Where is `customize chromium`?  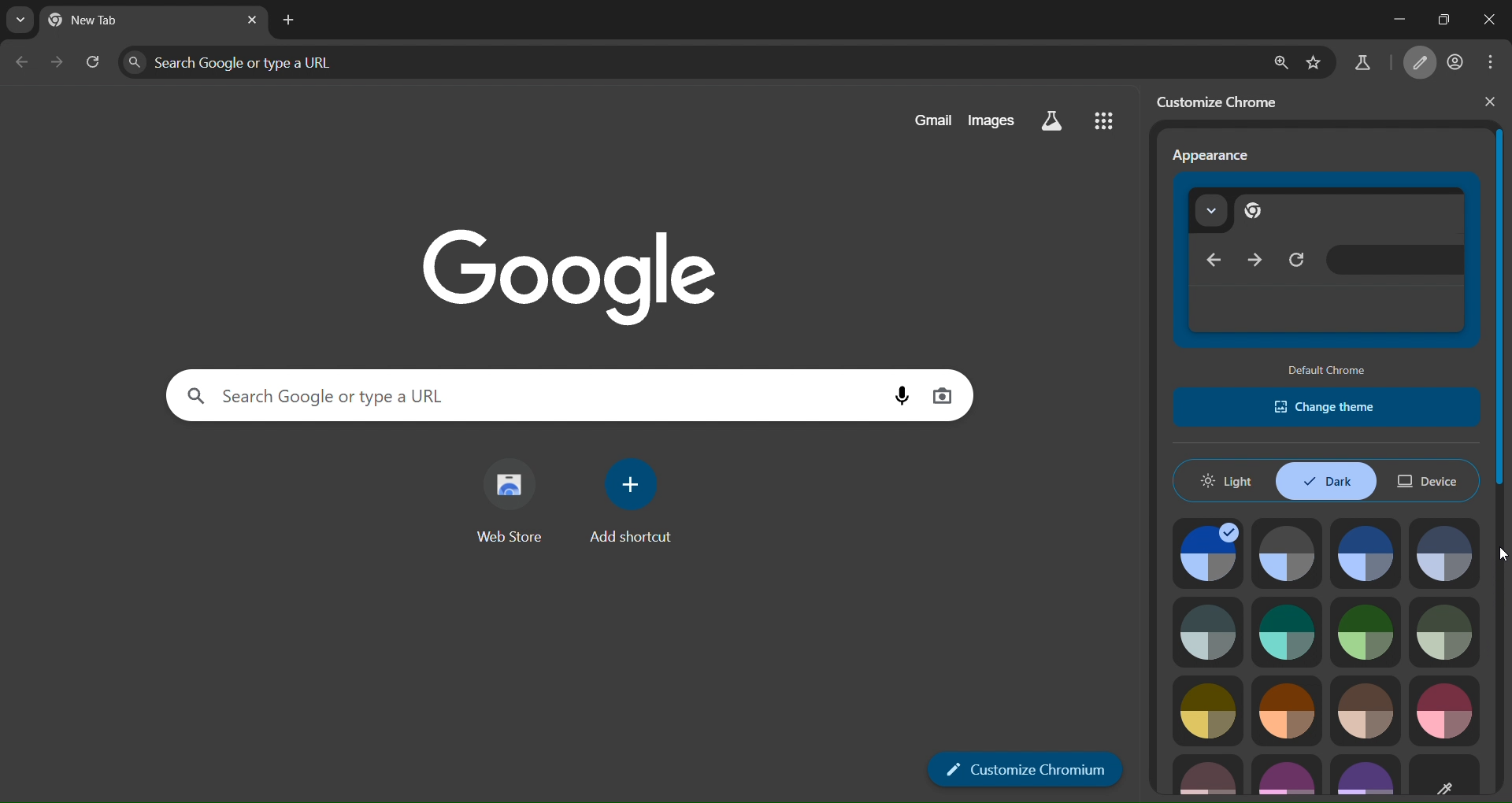 customize chromium is located at coordinates (1225, 101).